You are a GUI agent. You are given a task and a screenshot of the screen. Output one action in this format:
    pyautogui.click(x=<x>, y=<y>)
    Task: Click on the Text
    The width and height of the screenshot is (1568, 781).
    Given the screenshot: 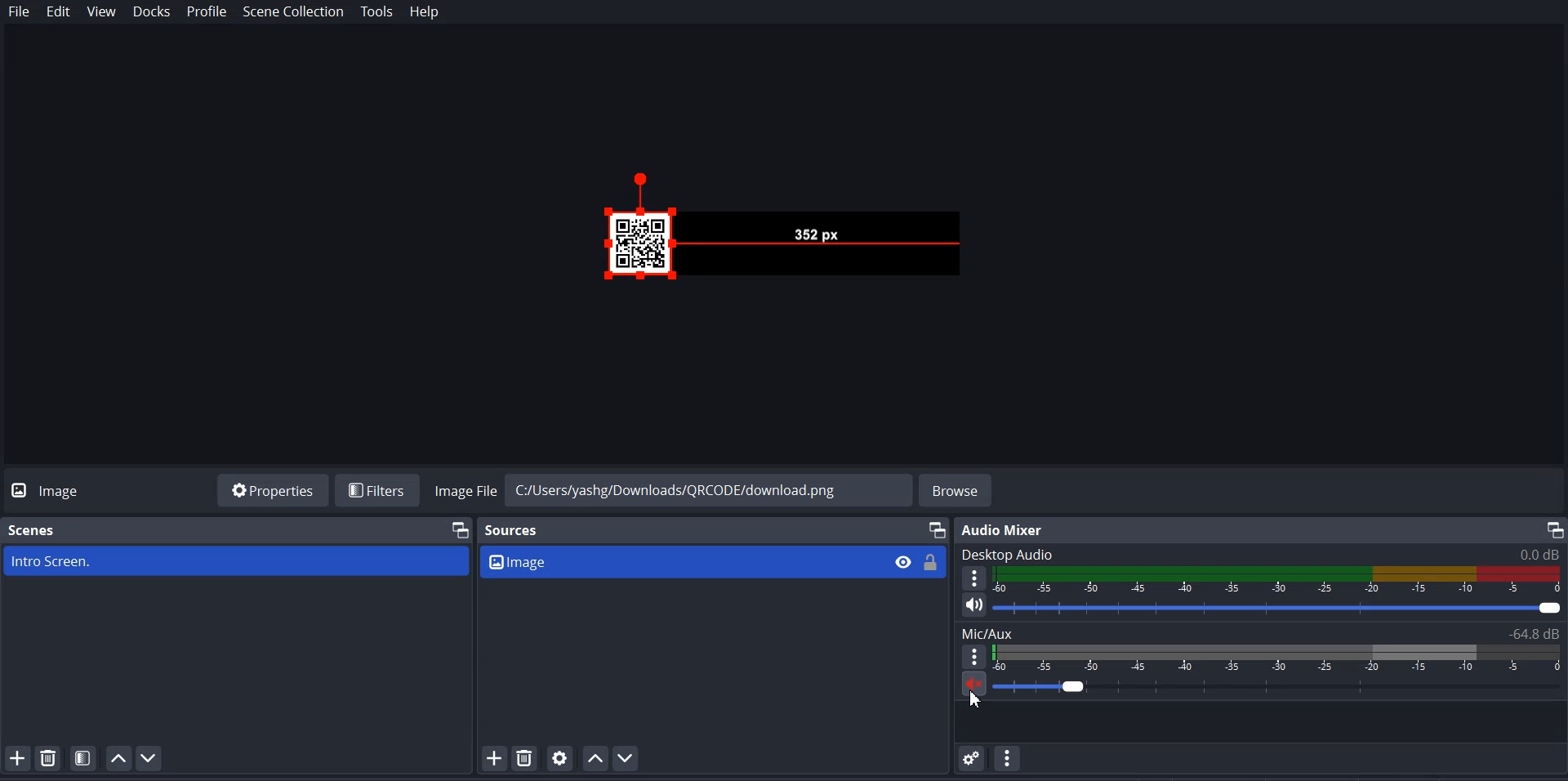 What is the action you would take?
    pyautogui.click(x=1261, y=554)
    